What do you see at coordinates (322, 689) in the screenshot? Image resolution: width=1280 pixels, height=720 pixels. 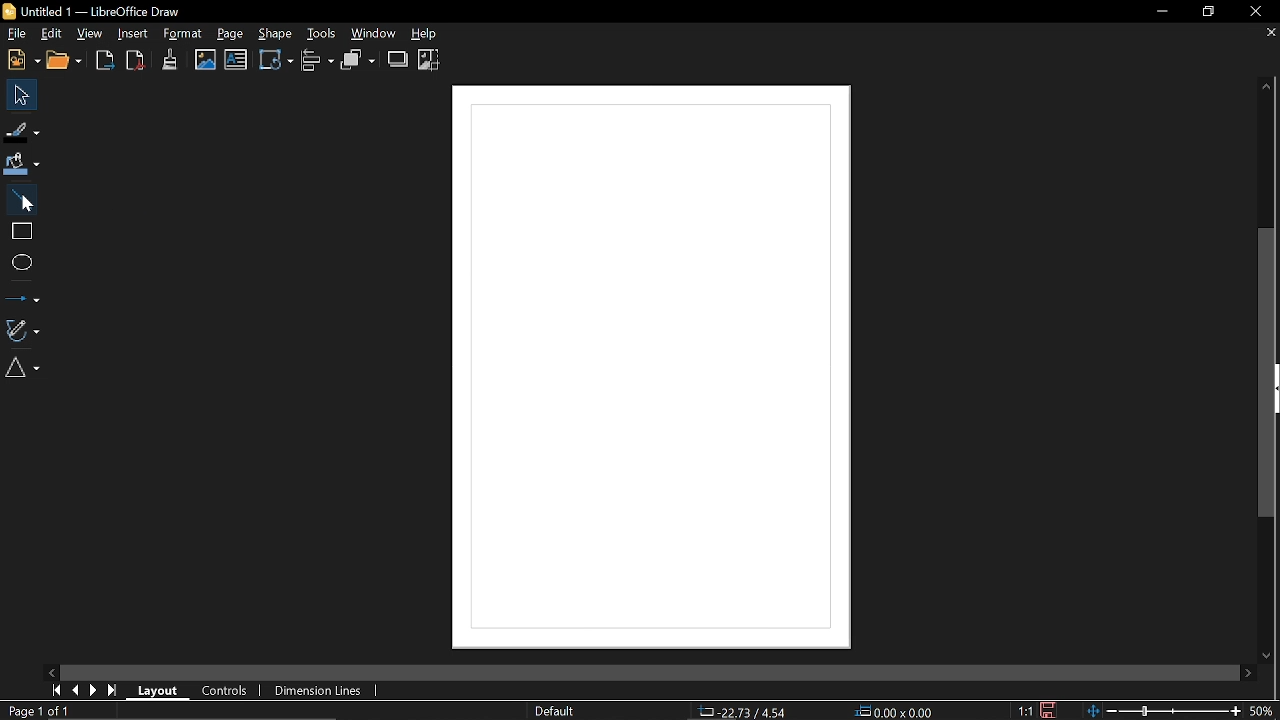 I see `Dimension lines` at bounding box center [322, 689].